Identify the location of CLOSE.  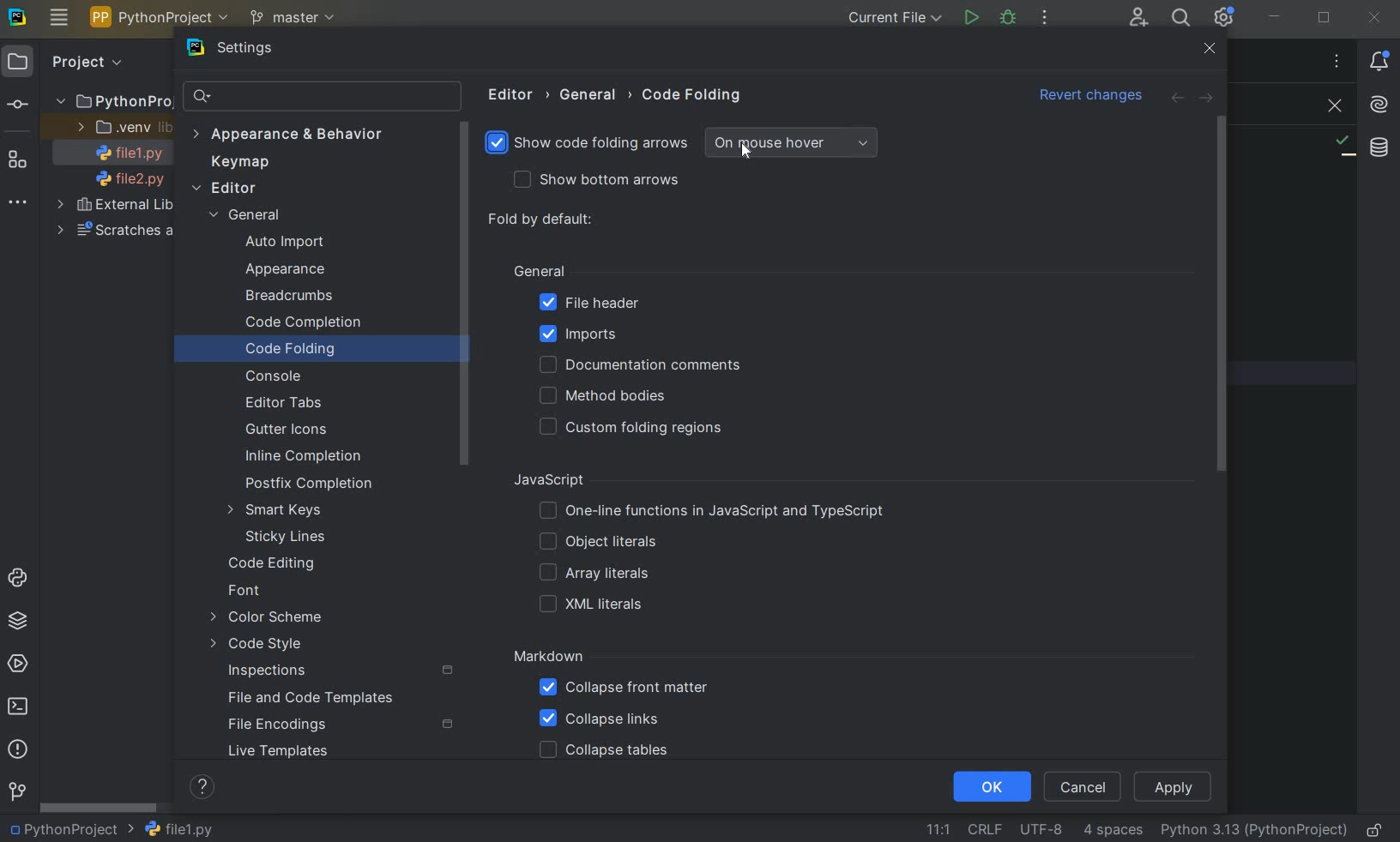
(1378, 16).